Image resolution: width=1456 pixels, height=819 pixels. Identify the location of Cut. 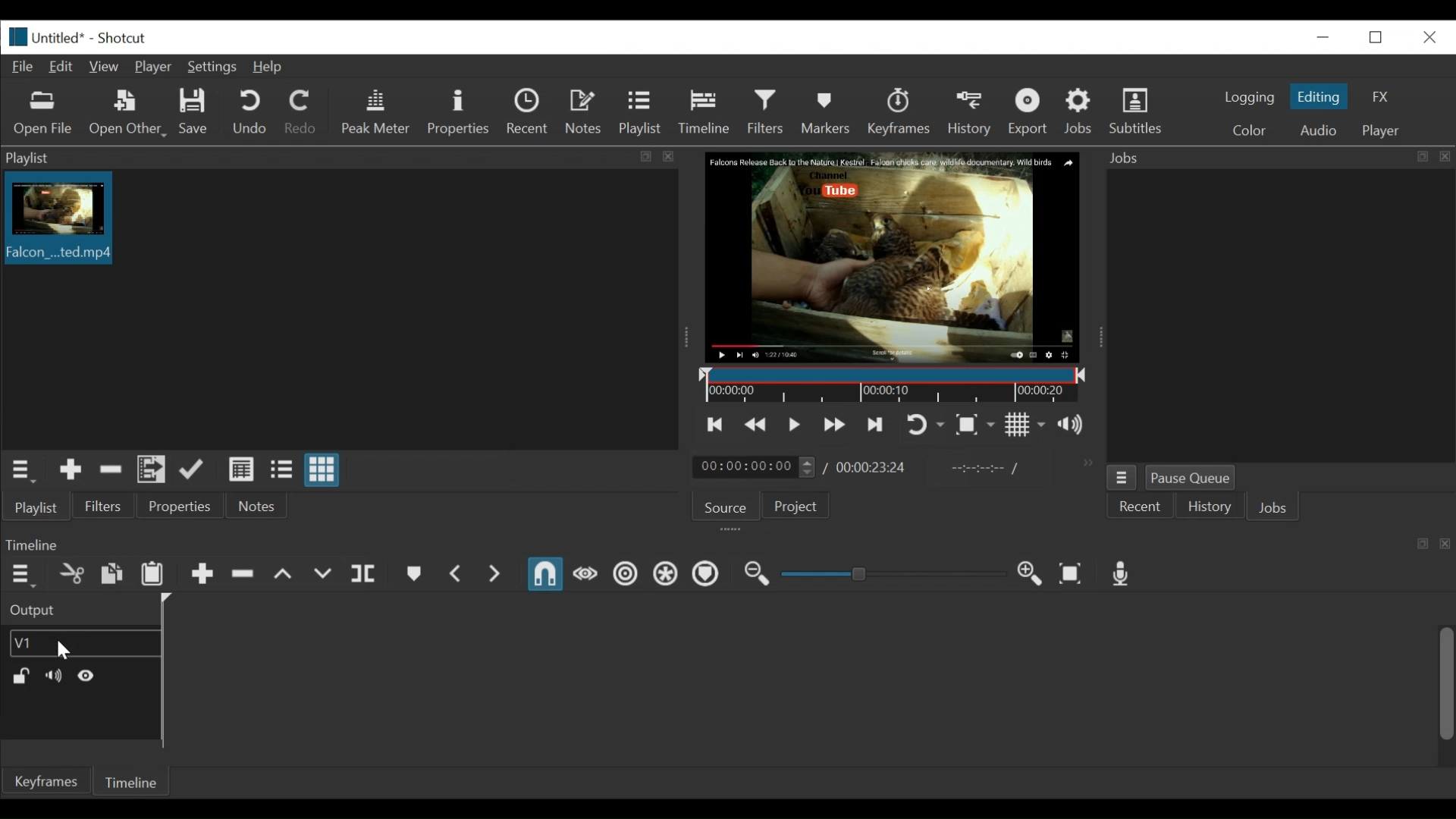
(71, 575).